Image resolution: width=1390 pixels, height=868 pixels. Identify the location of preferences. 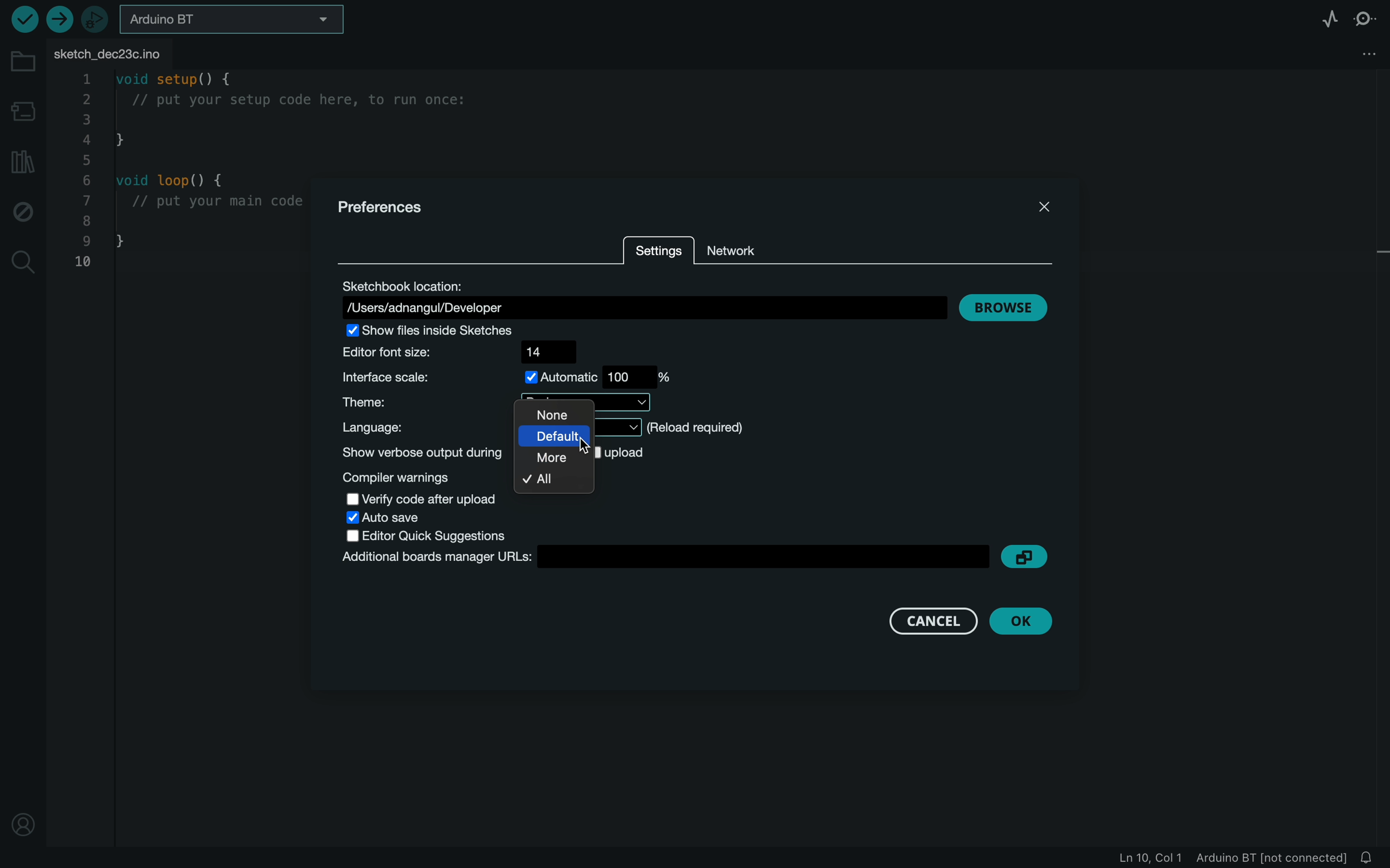
(391, 210).